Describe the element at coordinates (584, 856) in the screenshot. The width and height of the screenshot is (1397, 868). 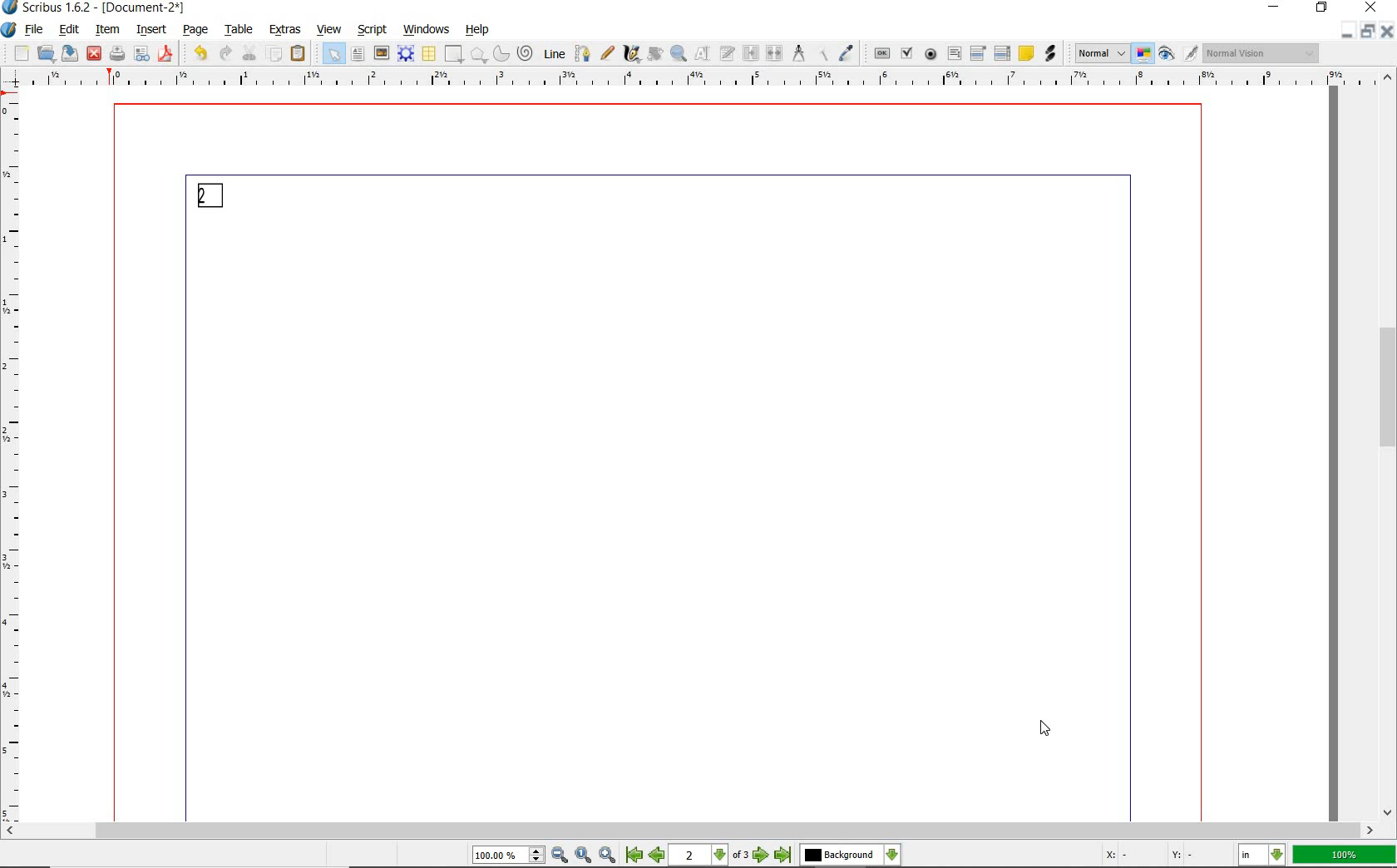
I see `Zoom to 100%` at that location.